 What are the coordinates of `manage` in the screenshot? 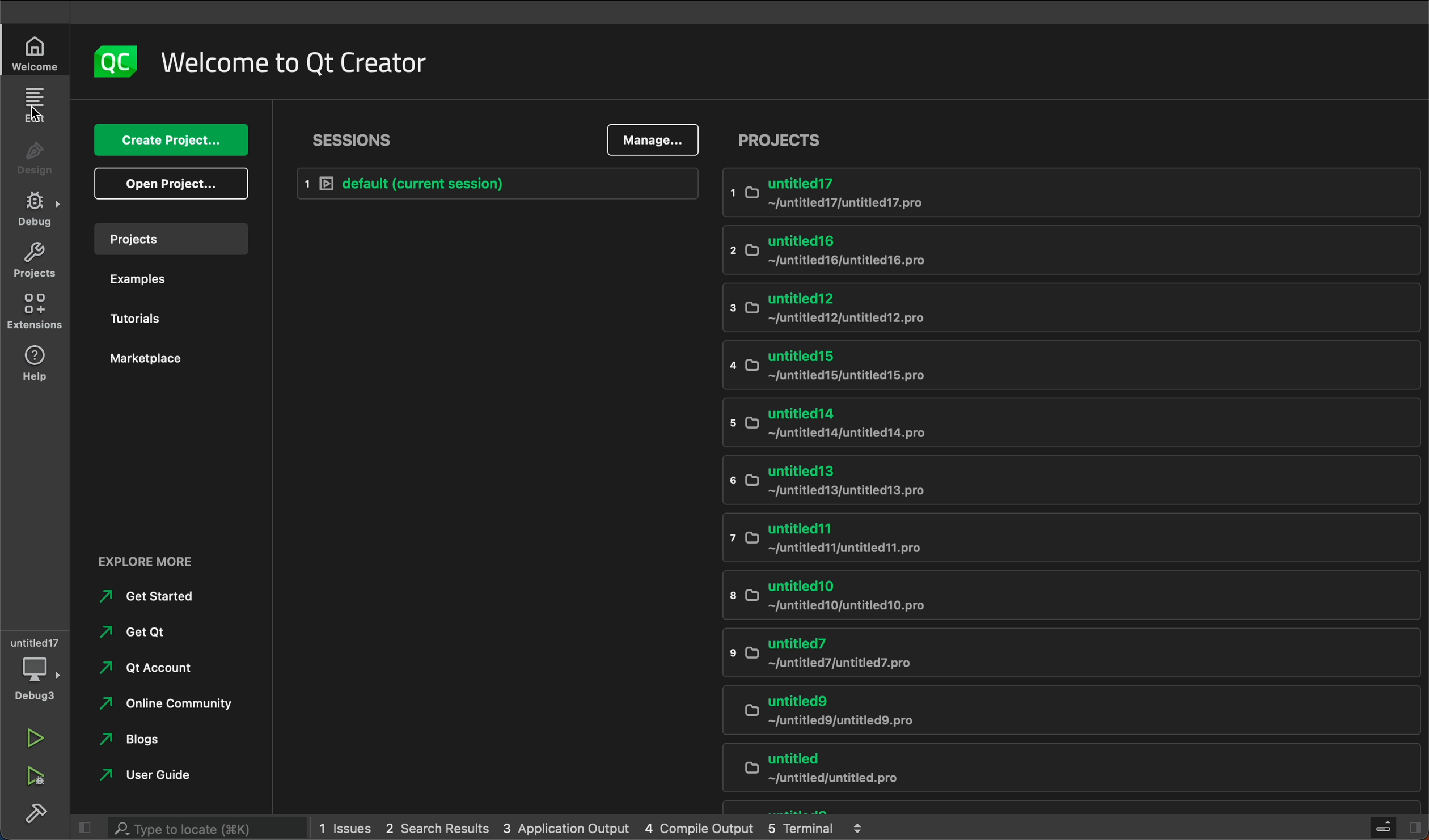 It's located at (649, 141).